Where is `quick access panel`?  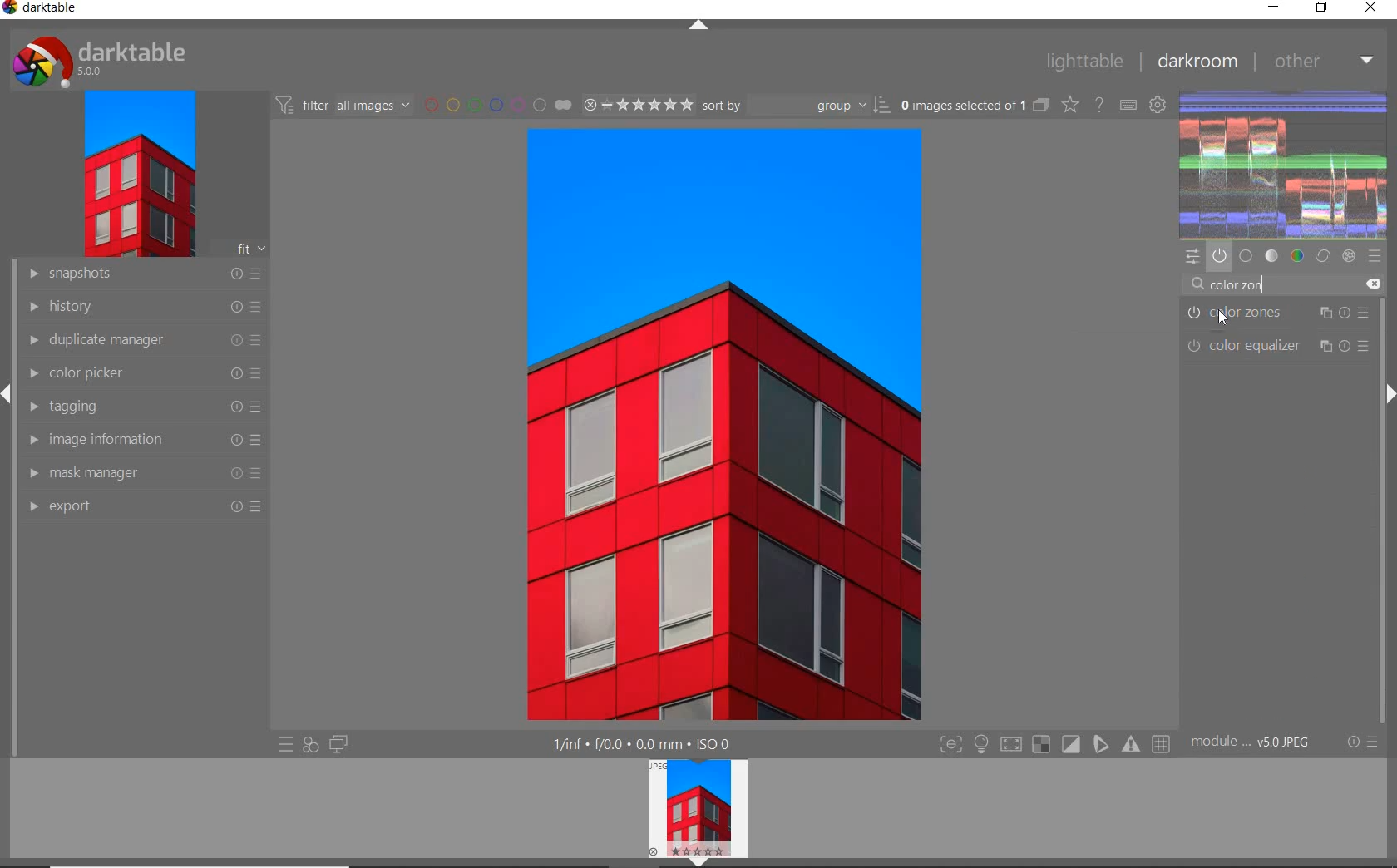 quick access panel is located at coordinates (1193, 257).